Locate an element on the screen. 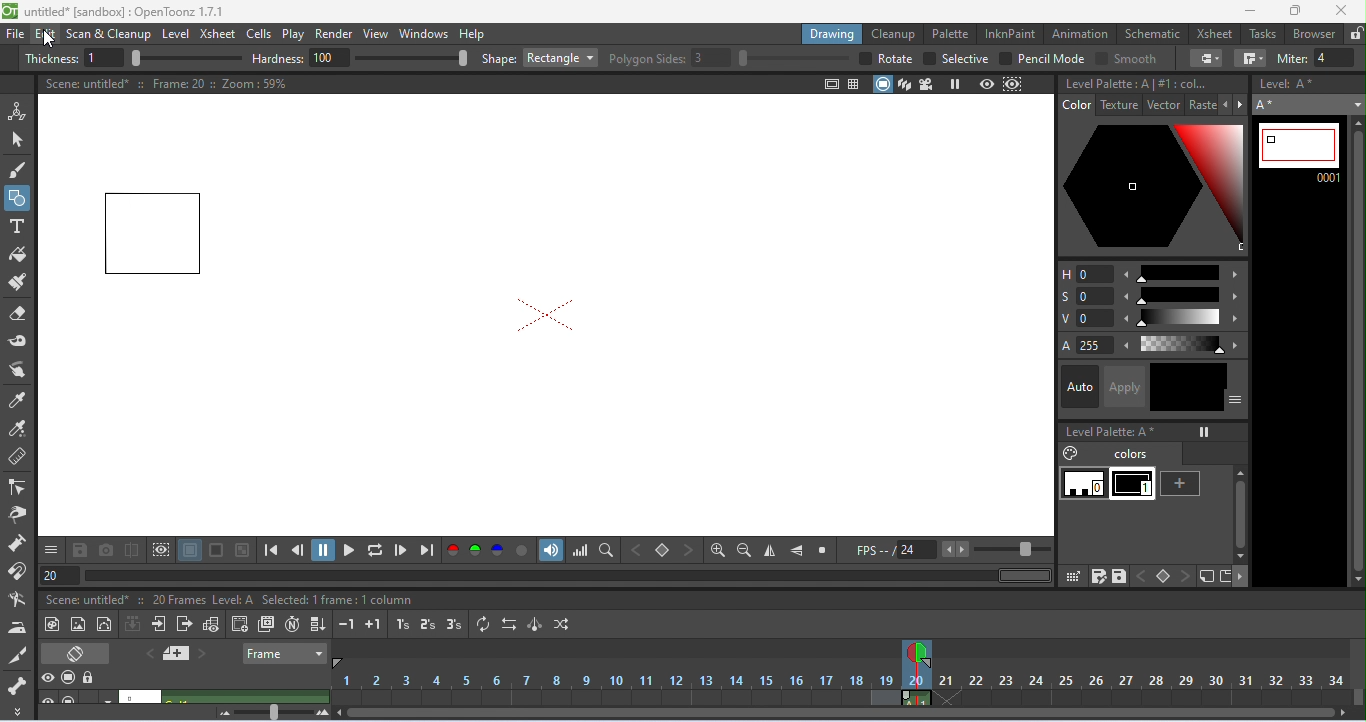 The height and width of the screenshot is (722, 1366). level is located at coordinates (174, 34).